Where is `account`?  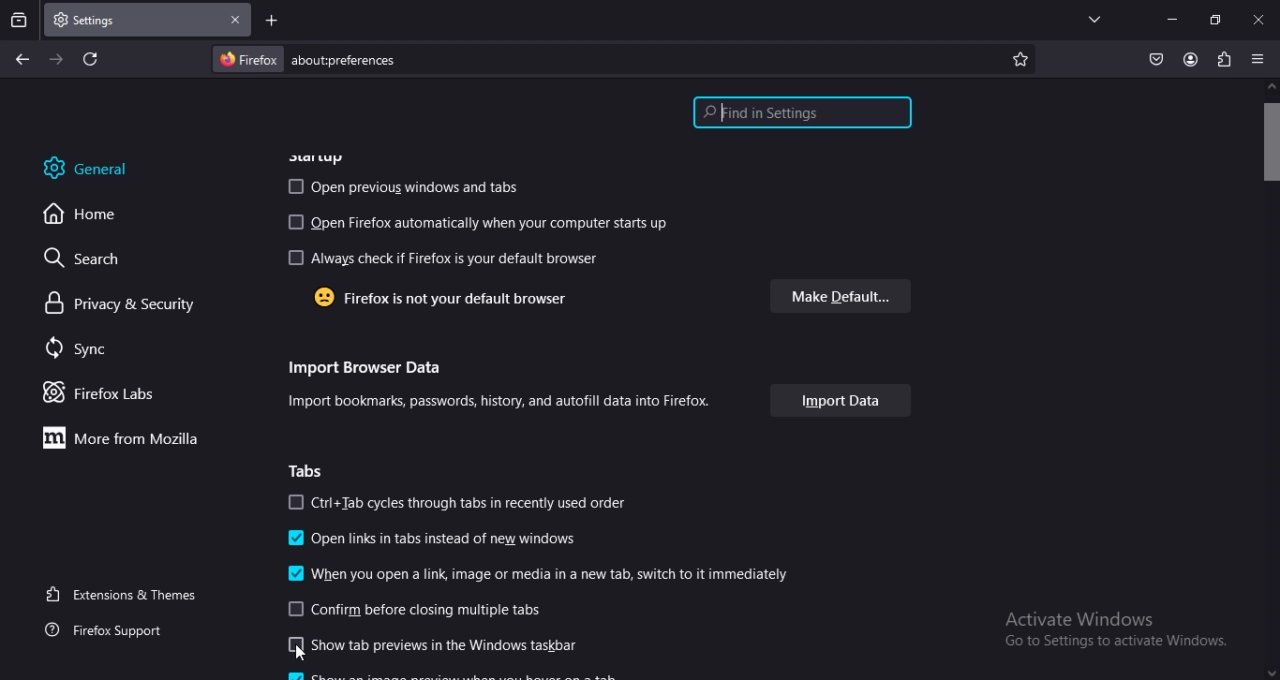
account is located at coordinates (1188, 59).